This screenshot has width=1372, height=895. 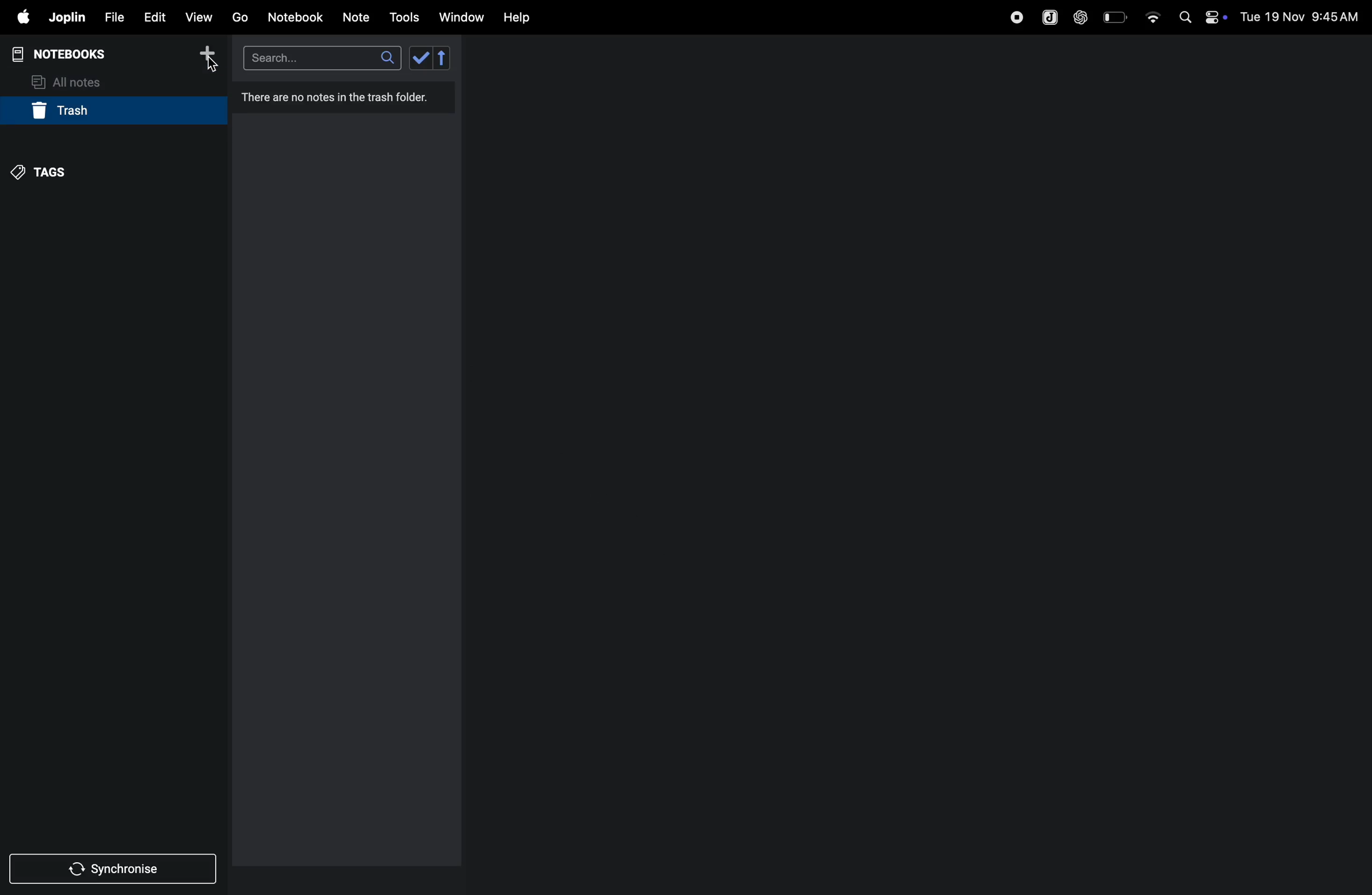 I want to click on there is no trash, so click(x=342, y=102).